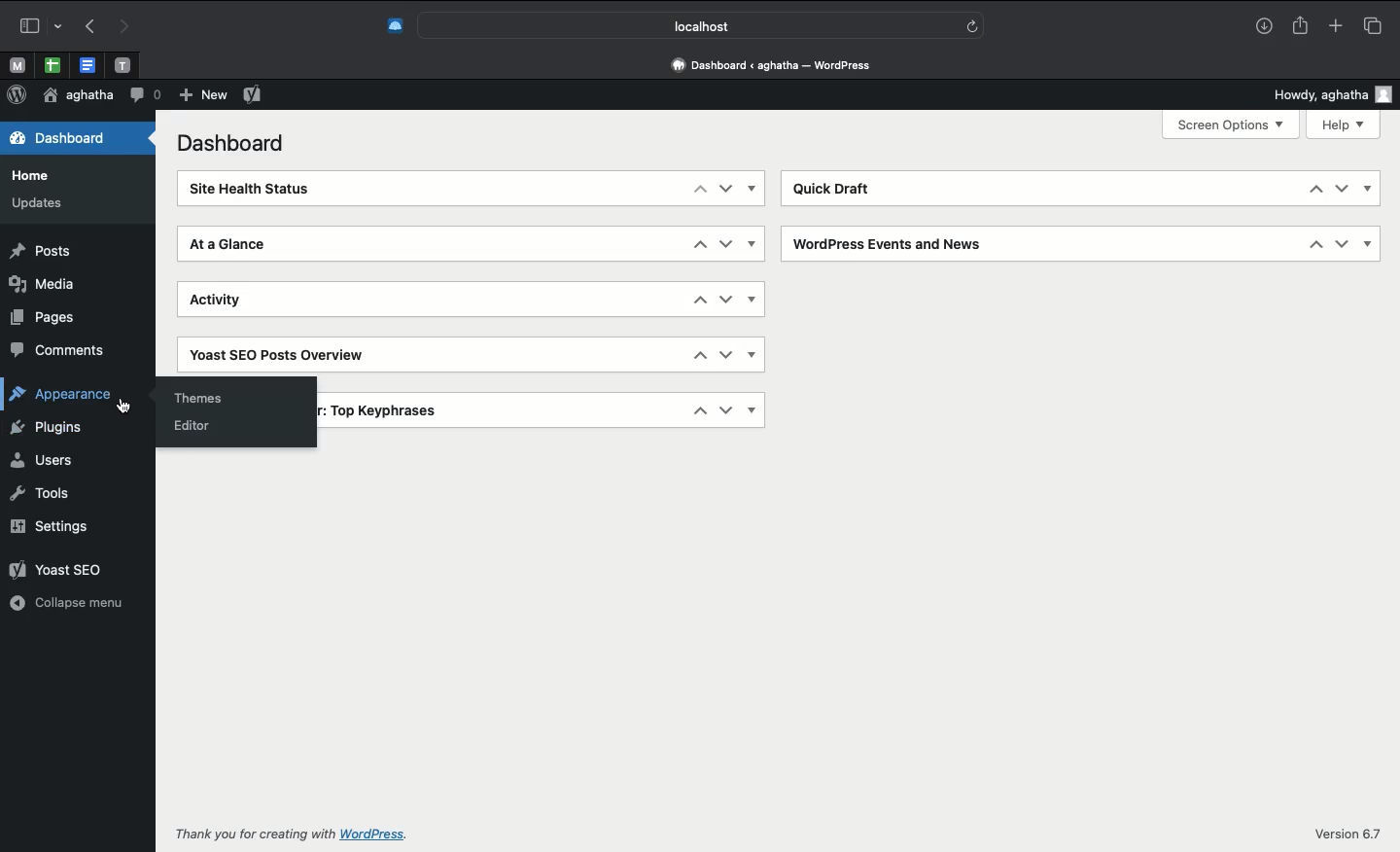 The height and width of the screenshot is (852, 1400). I want to click on Up, so click(699, 355).